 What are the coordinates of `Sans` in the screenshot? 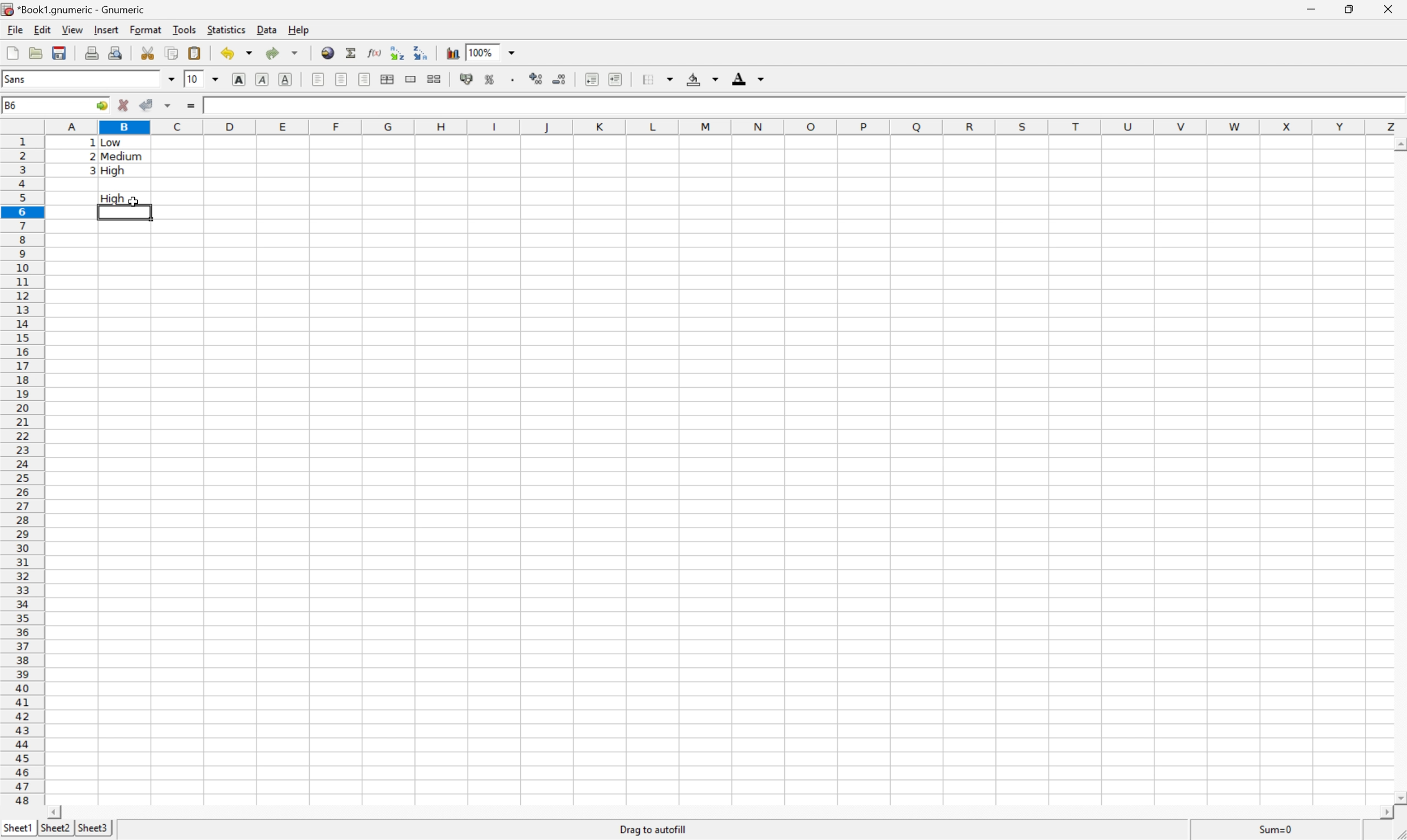 It's located at (19, 79).